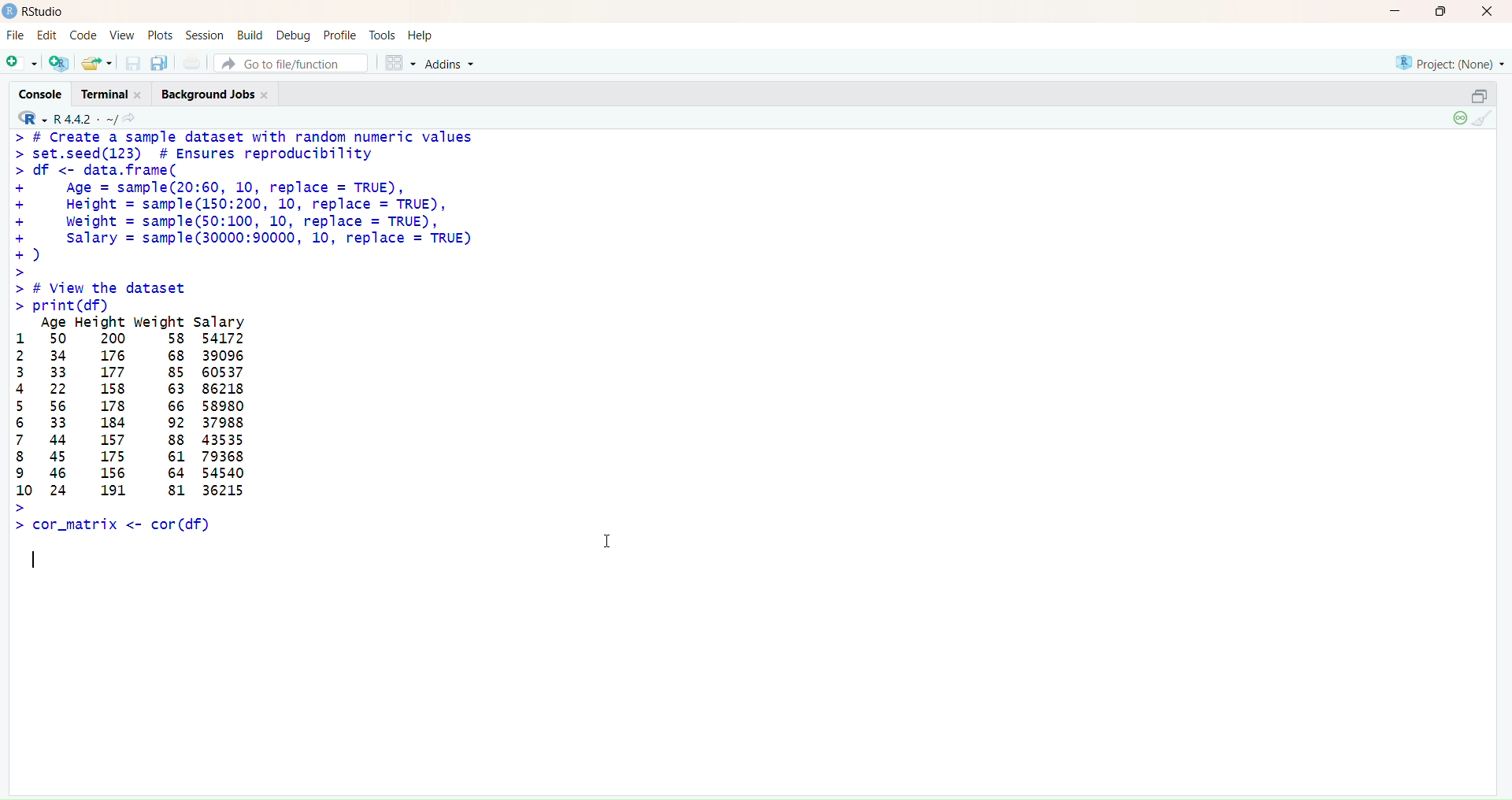 This screenshot has width=1512, height=800. I want to click on Edit, so click(48, 36).